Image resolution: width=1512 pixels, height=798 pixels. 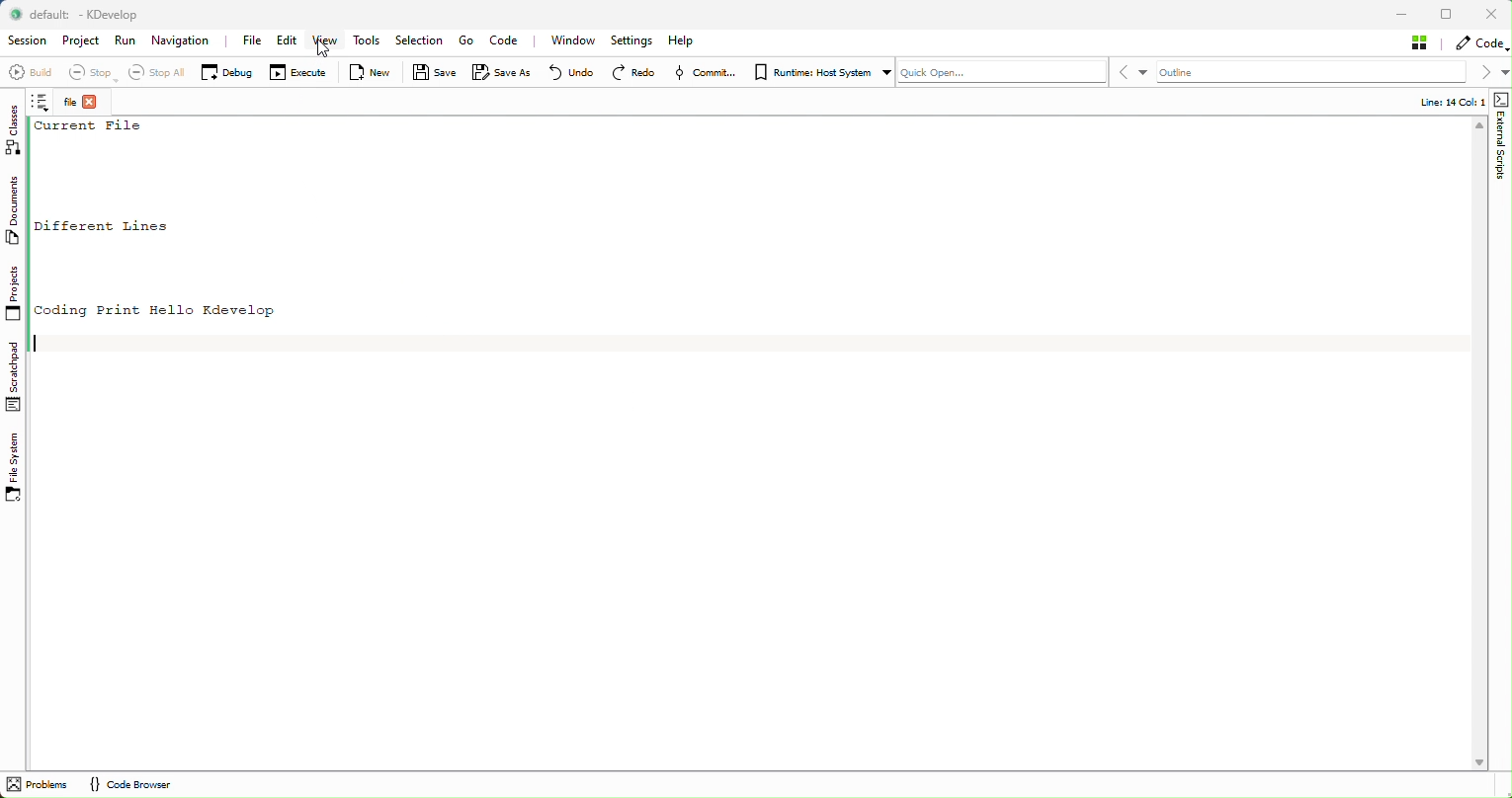 What do you see at coordinates (708, 73) in the screenshot?
I see `Commit` at bounding box center [708, 73].